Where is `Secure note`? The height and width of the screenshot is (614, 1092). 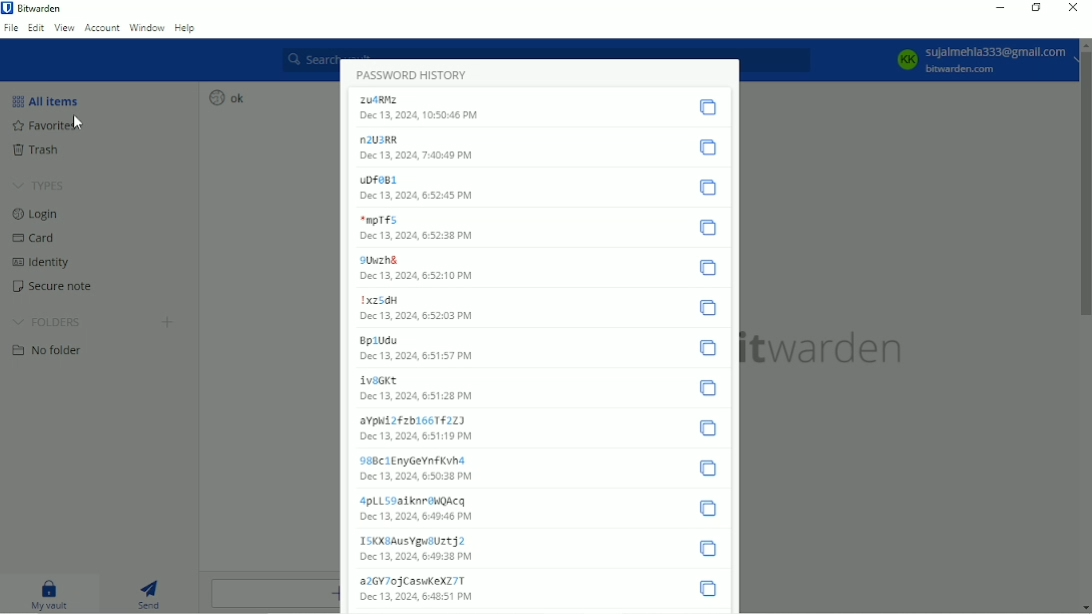 Secure note is located at coordinates (55, 287).